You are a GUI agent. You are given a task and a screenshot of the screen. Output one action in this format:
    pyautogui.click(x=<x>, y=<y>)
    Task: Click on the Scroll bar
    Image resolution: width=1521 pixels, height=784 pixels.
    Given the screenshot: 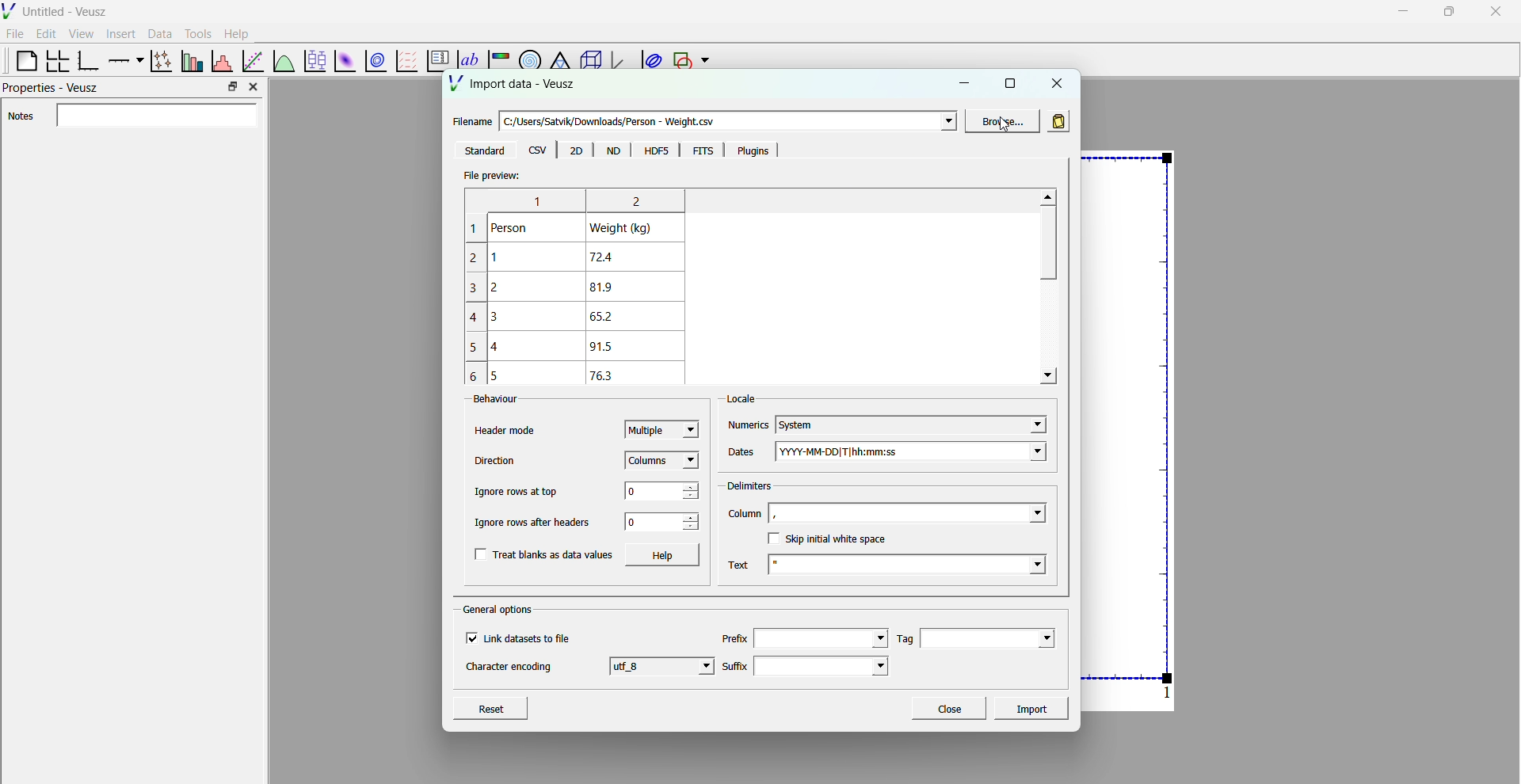 What is the action you would take?
    pyautogui.click(x=1046, y=247)
    